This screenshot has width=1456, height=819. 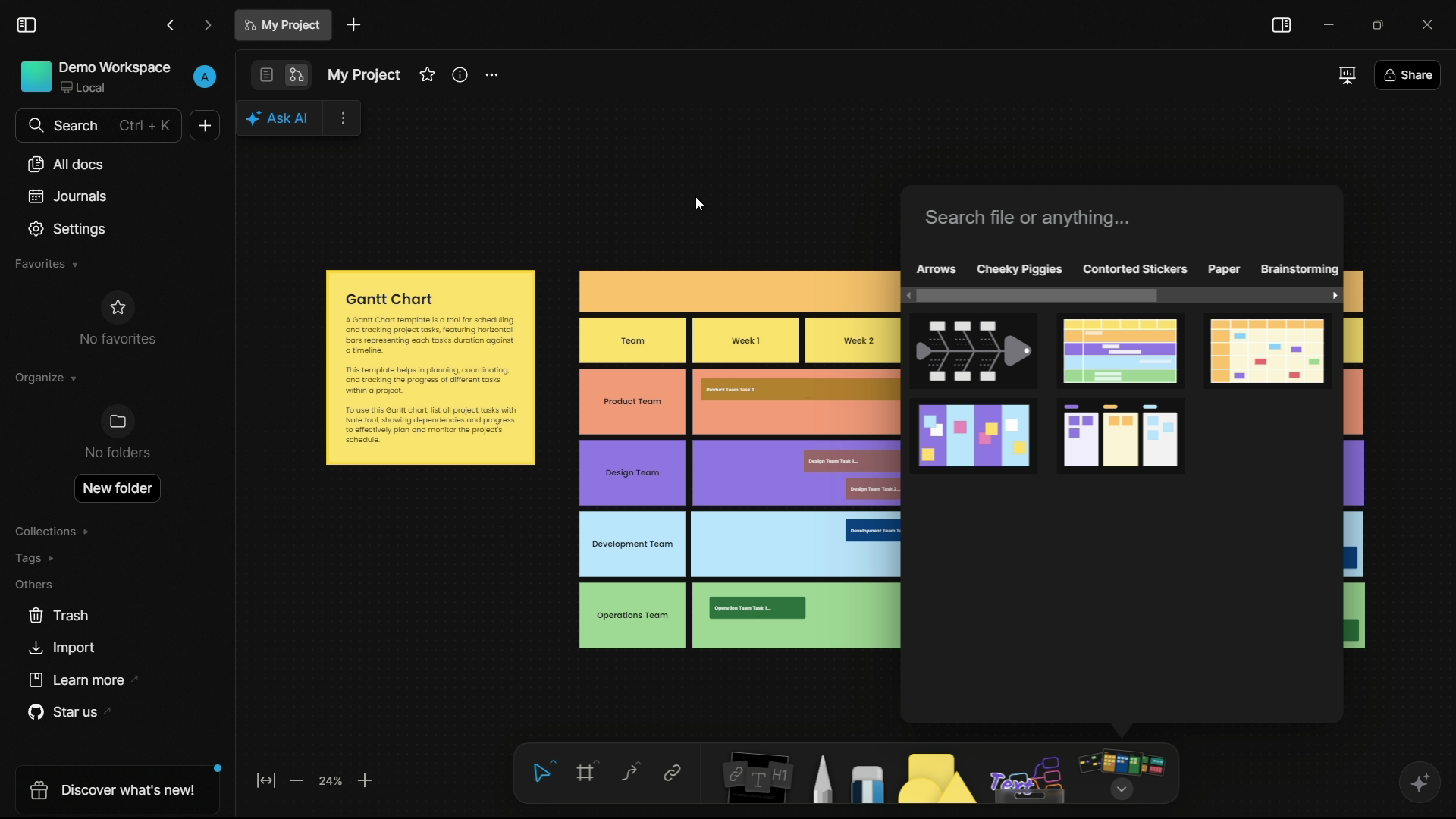 What do you see at coordinates (117, 317) in the screenshot?
I see `no favorites` at bounding box center [117, 317].